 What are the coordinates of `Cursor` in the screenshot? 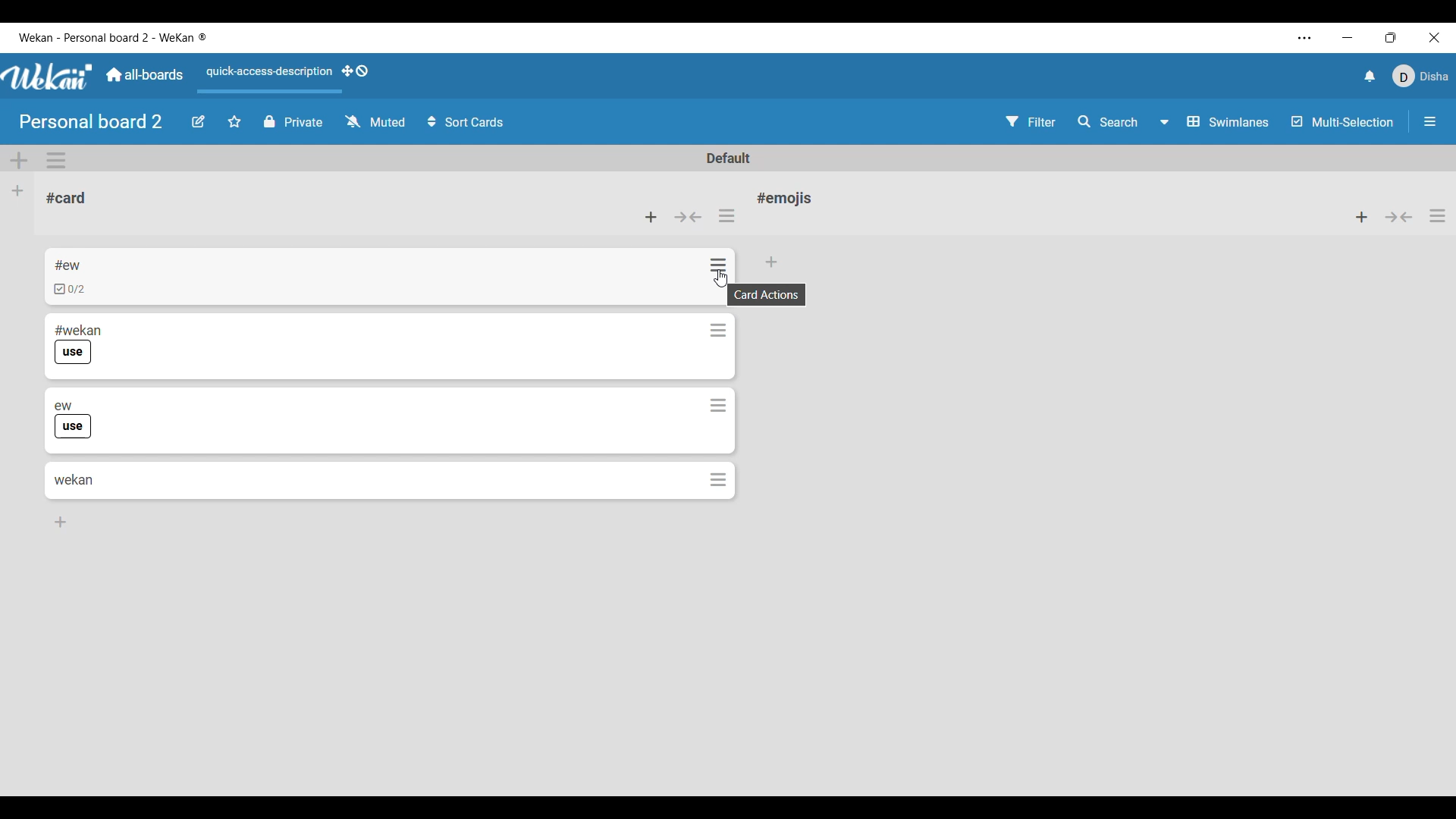 It's located at (723, 279).